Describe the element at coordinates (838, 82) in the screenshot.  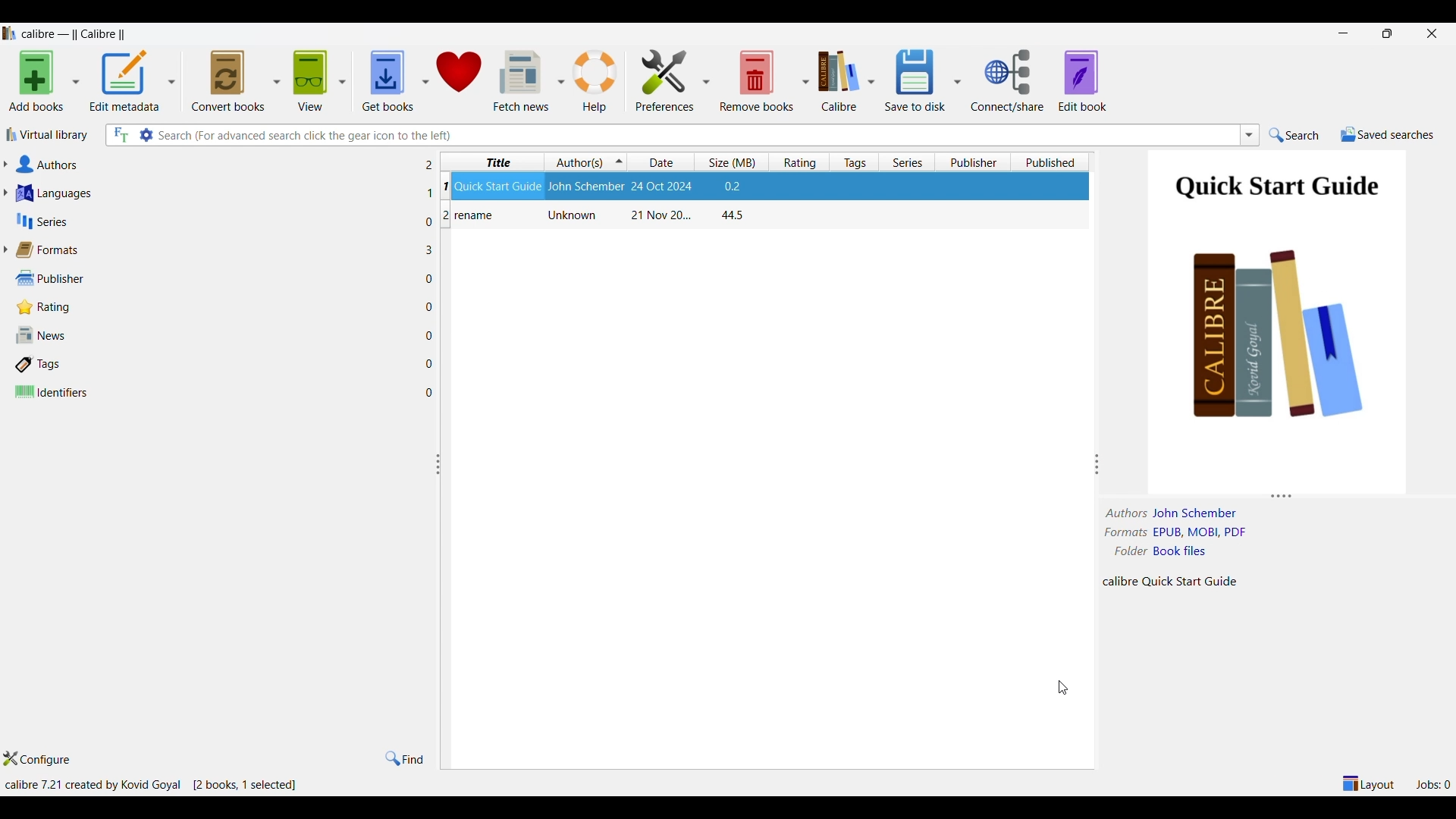
I see `Calibre` at that location.